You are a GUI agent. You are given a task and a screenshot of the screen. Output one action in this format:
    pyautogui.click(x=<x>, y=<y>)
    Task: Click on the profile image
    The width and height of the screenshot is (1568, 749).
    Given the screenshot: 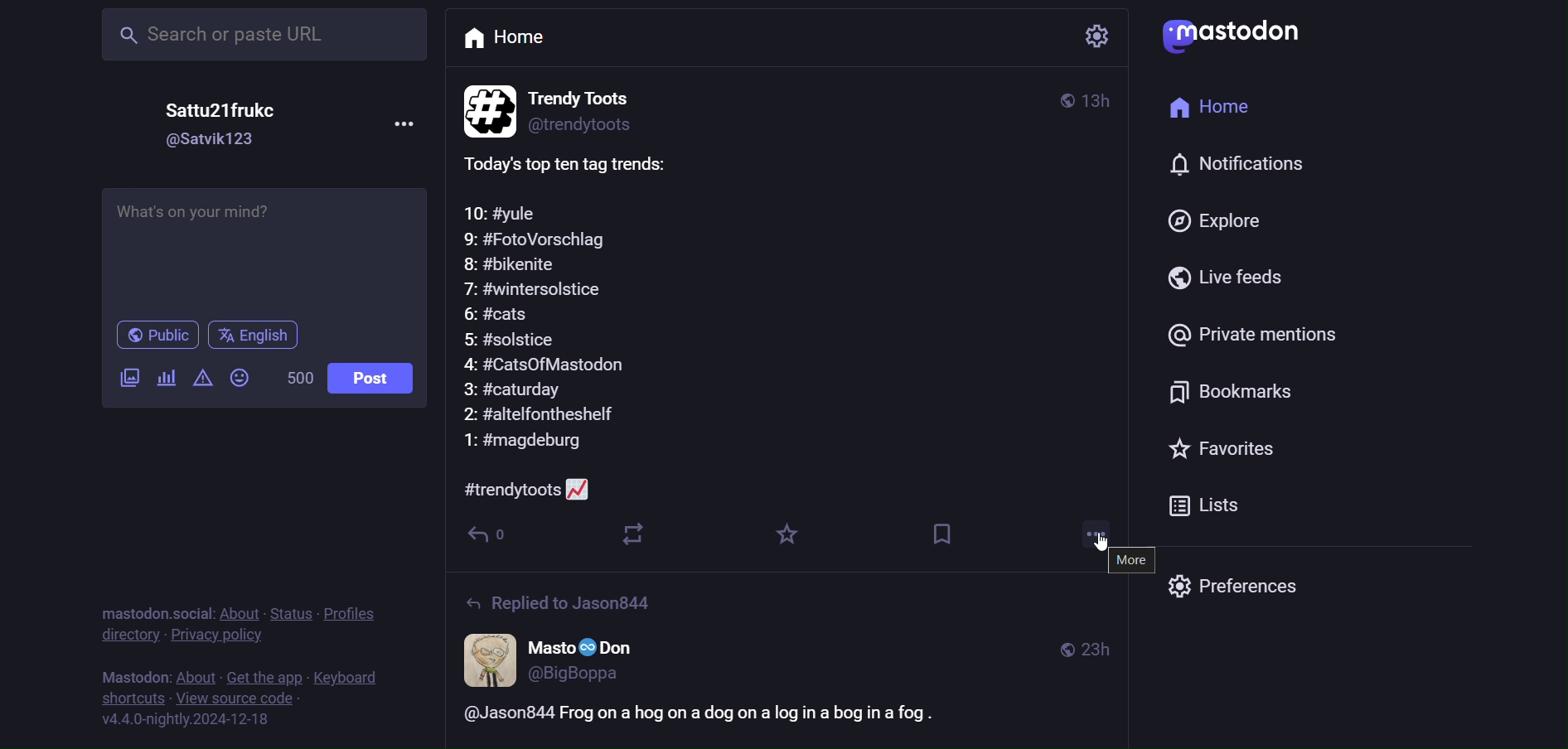 What is the action you would take?
    pyautogui.click(x=486, y=108)
    